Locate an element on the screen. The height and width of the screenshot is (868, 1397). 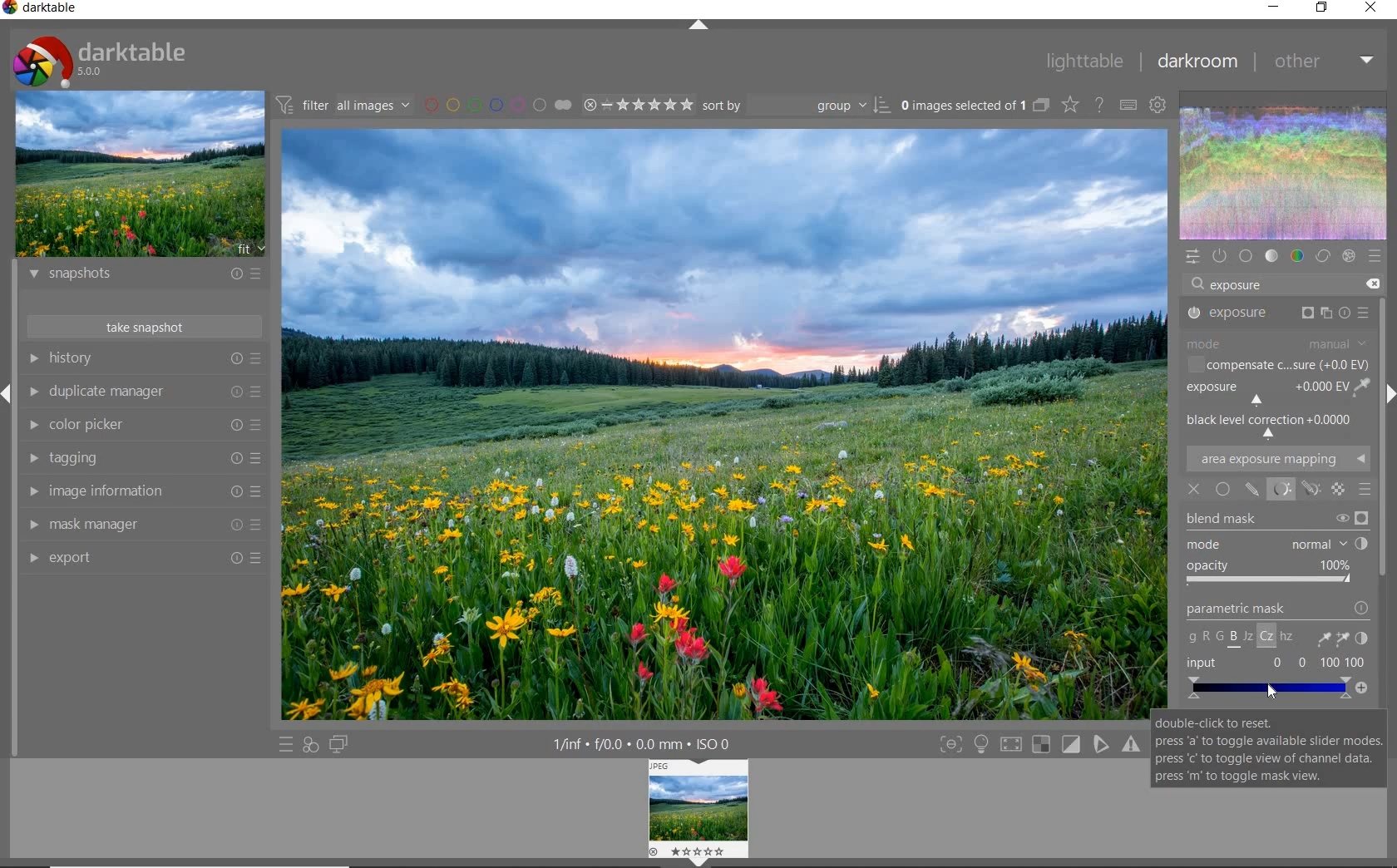
expand/collapse is located at coordinates (702, 28).